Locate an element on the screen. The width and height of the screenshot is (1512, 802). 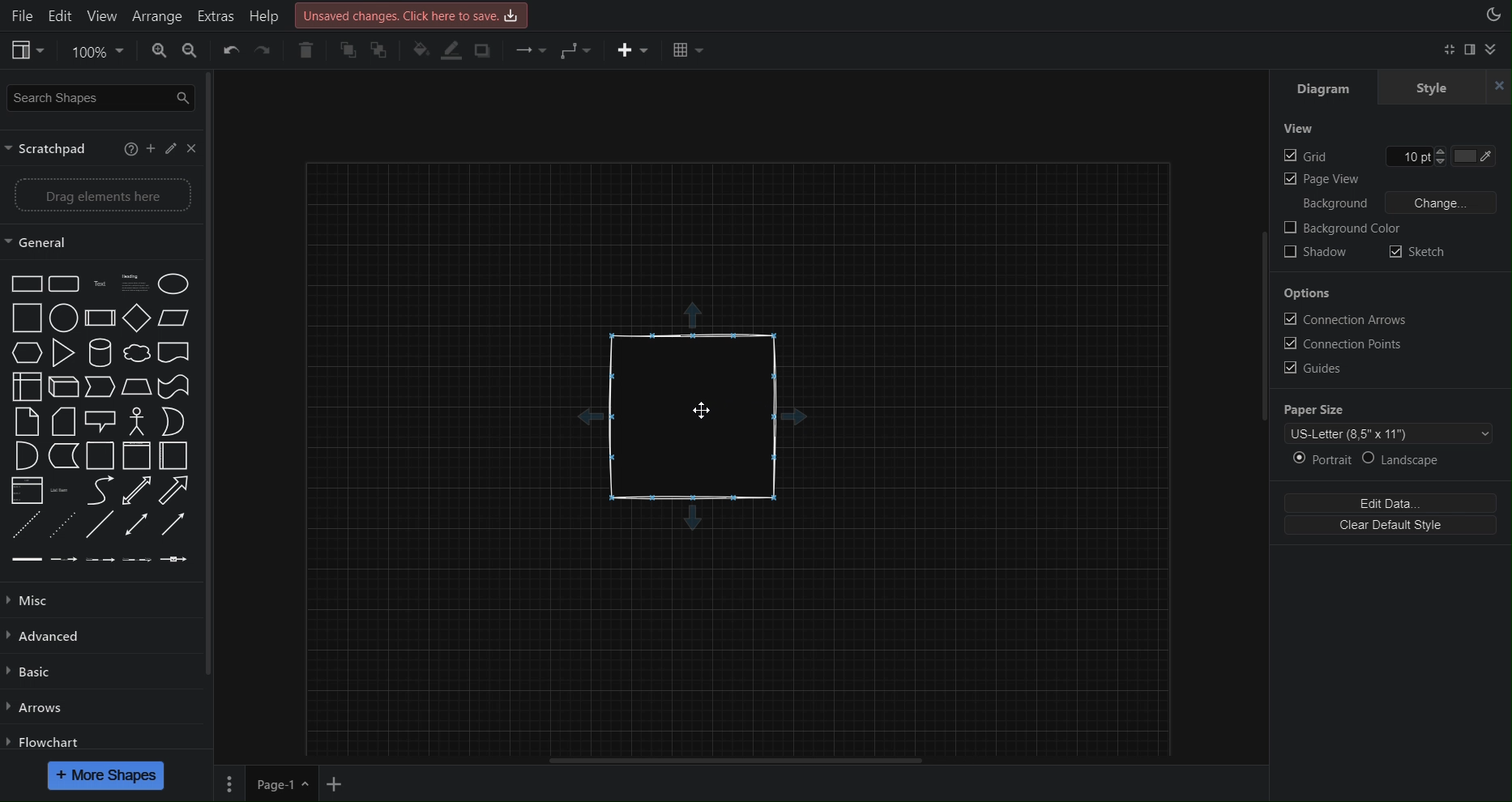
Pages is located at coordinates (231, 783).